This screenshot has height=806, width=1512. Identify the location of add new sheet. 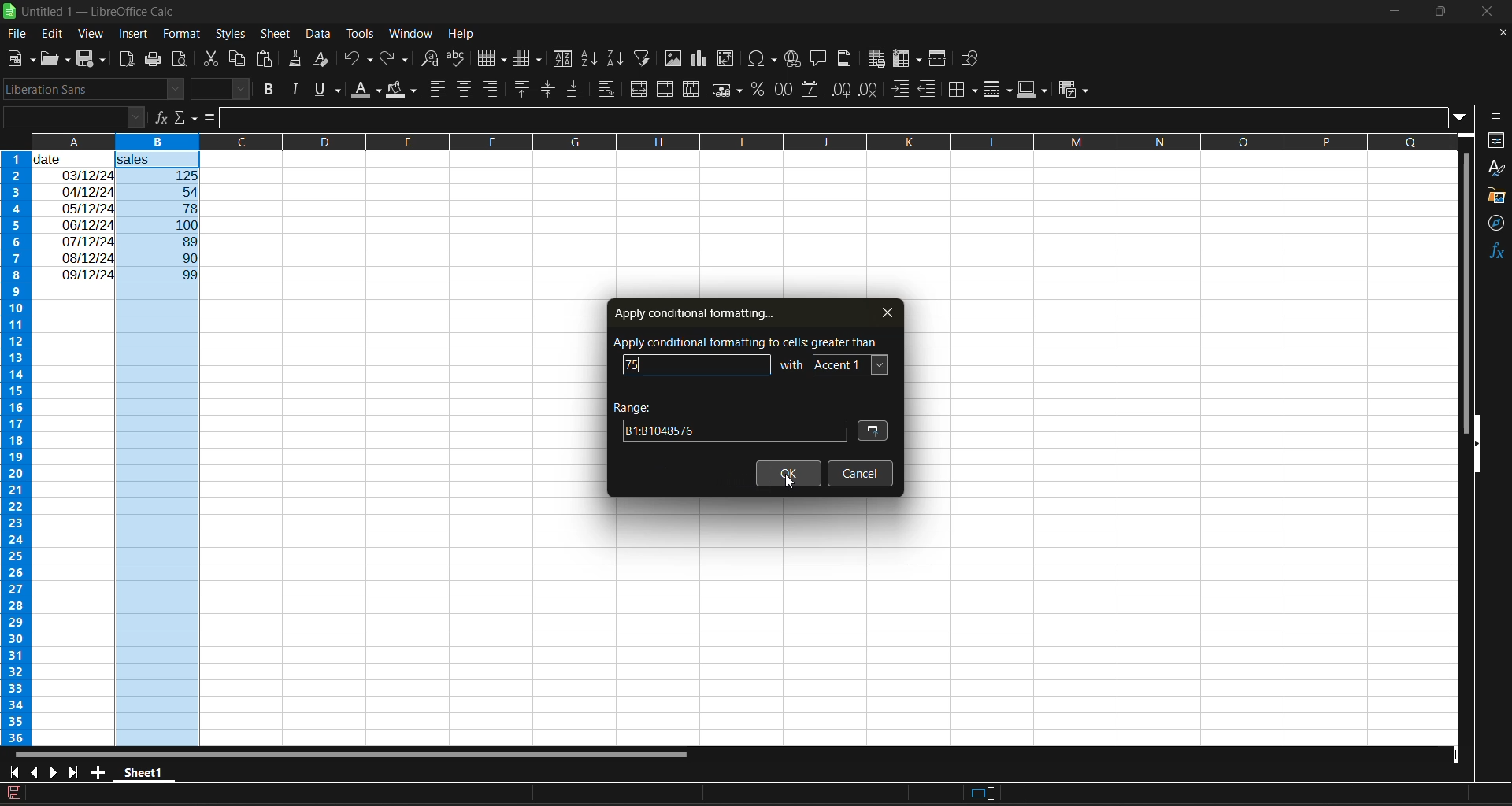
(99, 771).